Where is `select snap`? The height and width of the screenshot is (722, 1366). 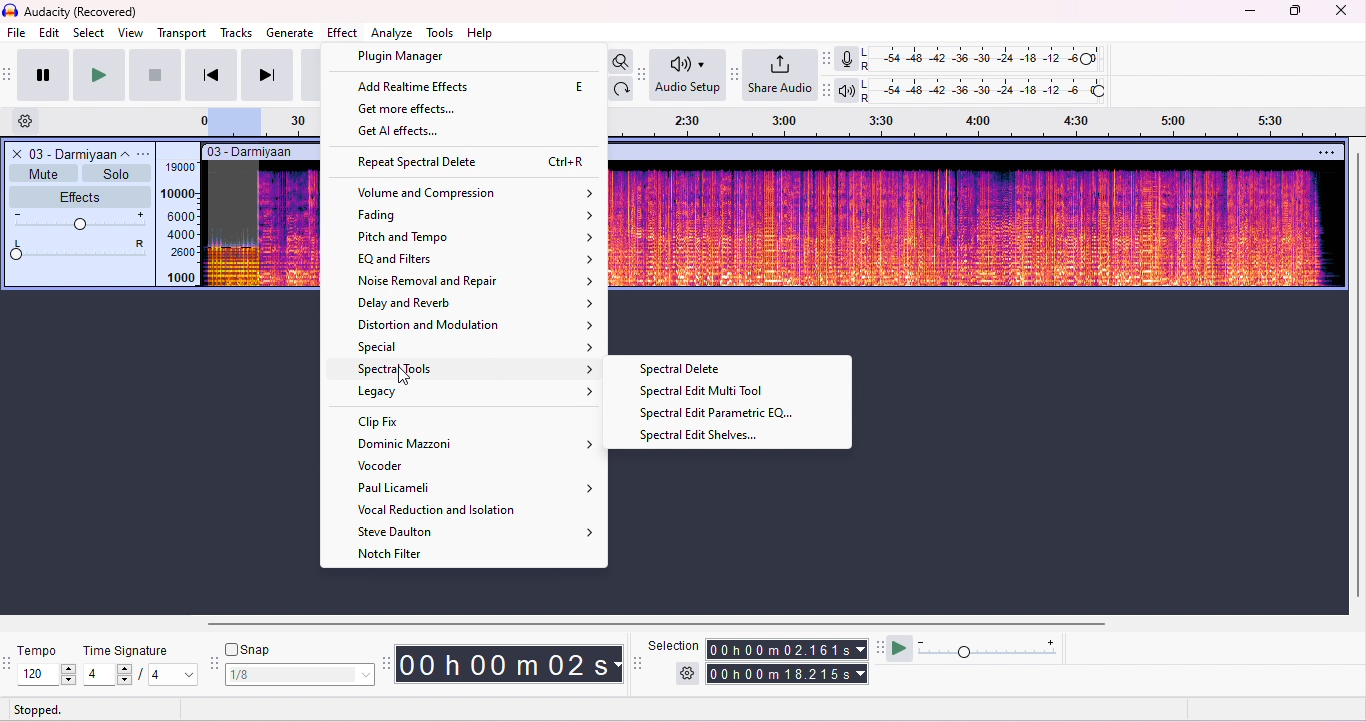
select snap is located at coordinates (302, 674).